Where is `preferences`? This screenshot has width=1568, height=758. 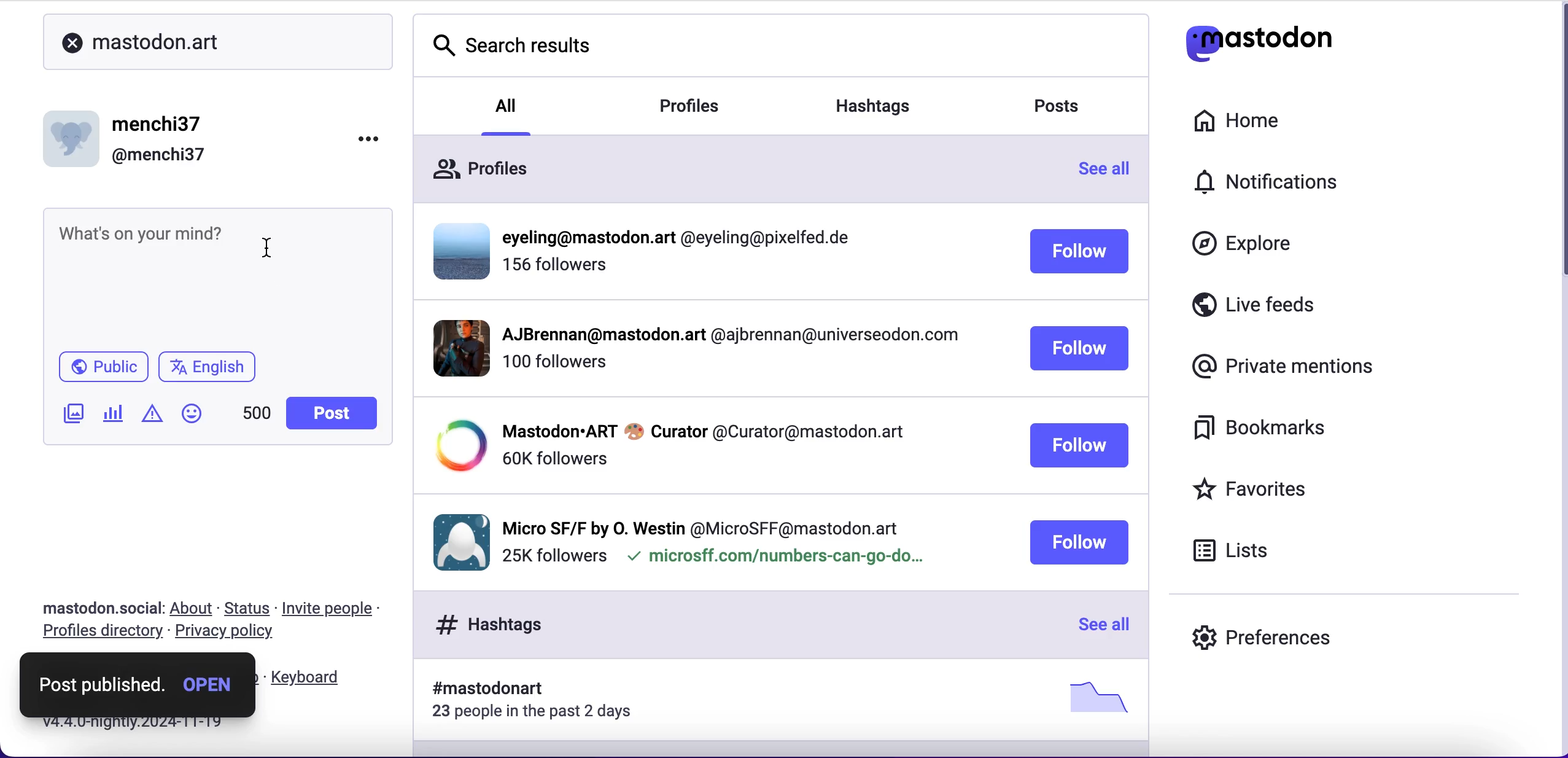 preferences is located at coordinates (1272, 633).